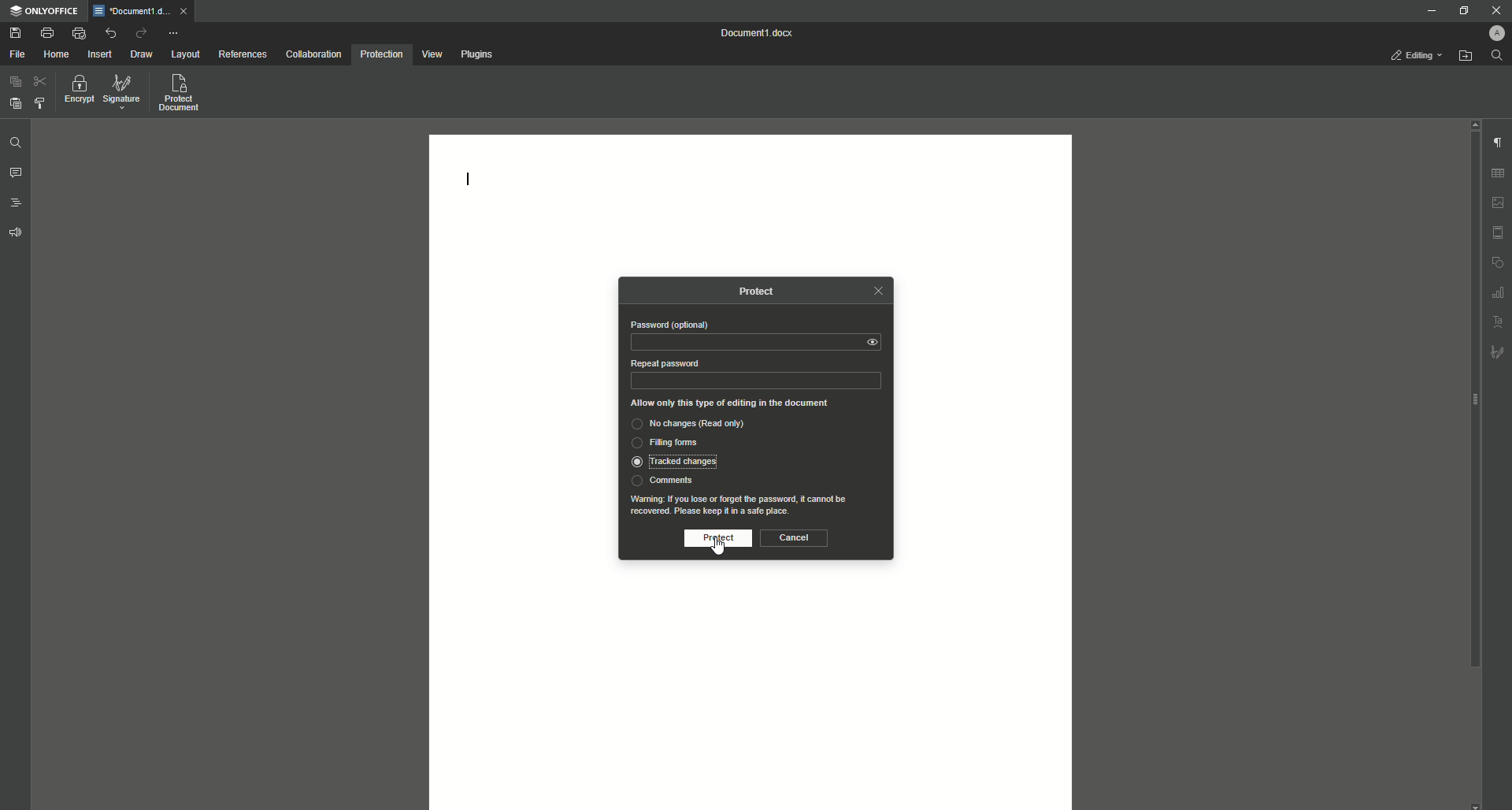 The height and width of the screenshot is (810, 1512). Describe the element at coordinates (717, 537) in the screenshot. I see `Protect` at that location.